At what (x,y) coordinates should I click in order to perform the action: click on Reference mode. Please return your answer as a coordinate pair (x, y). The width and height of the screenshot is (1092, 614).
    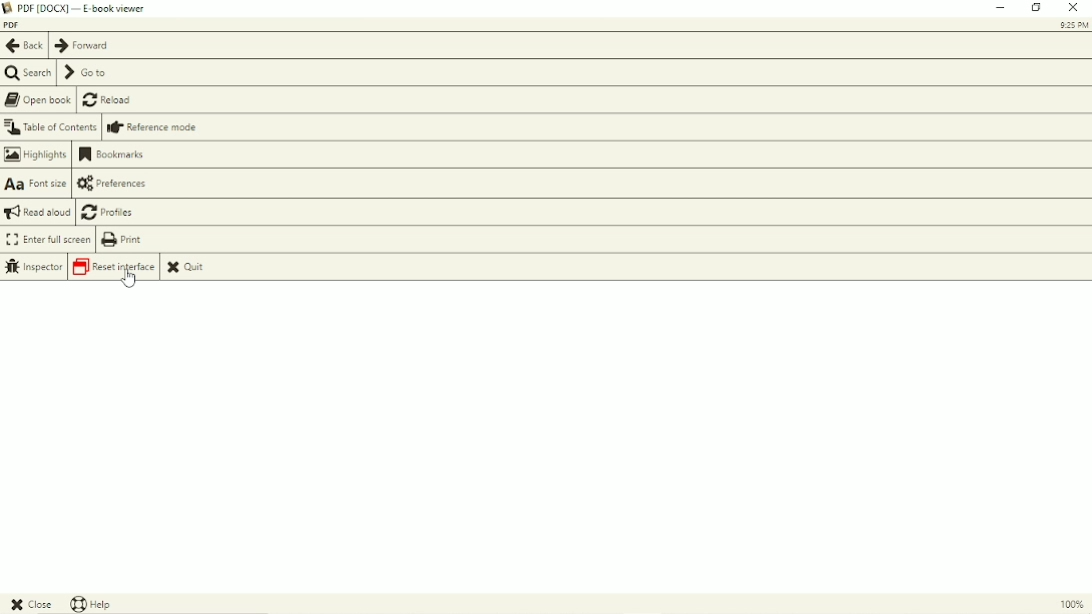
    Looking at the image, I should click on (153, 127).